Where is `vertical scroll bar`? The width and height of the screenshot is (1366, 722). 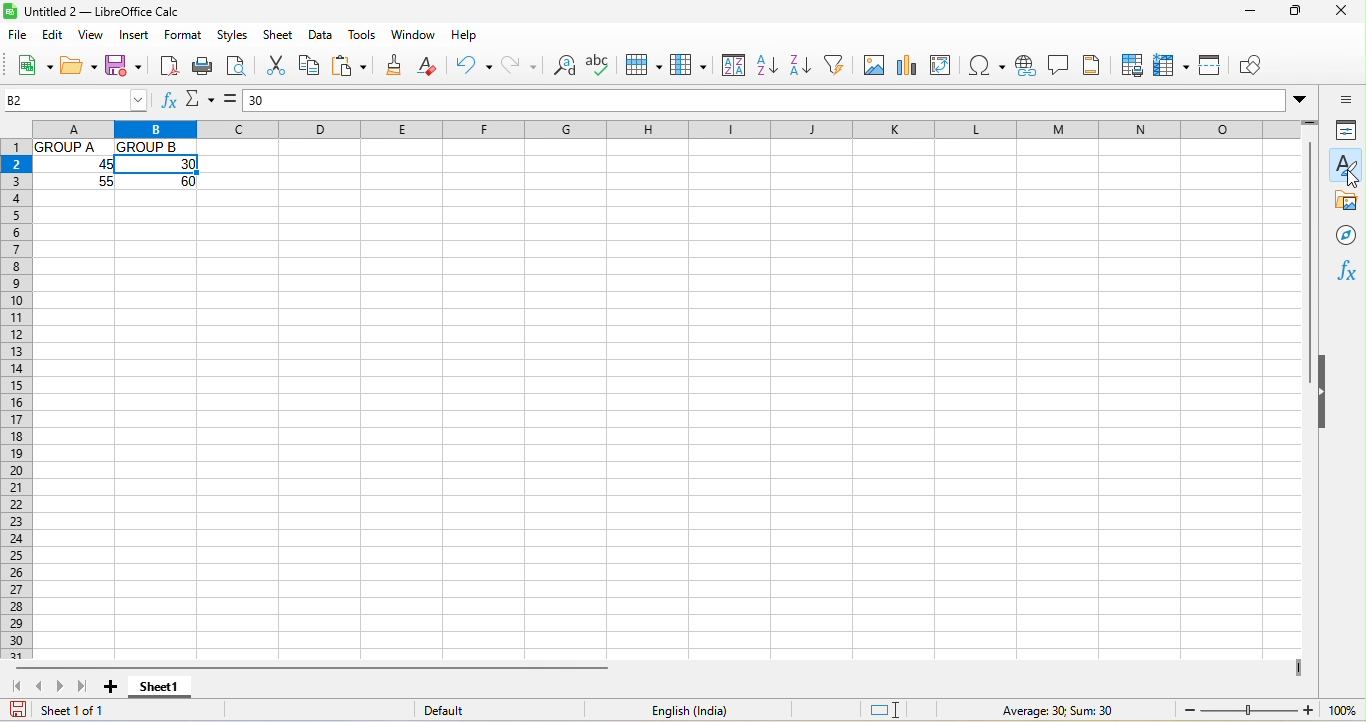 vertical scroll bar is located at coordinates (1310, 270).